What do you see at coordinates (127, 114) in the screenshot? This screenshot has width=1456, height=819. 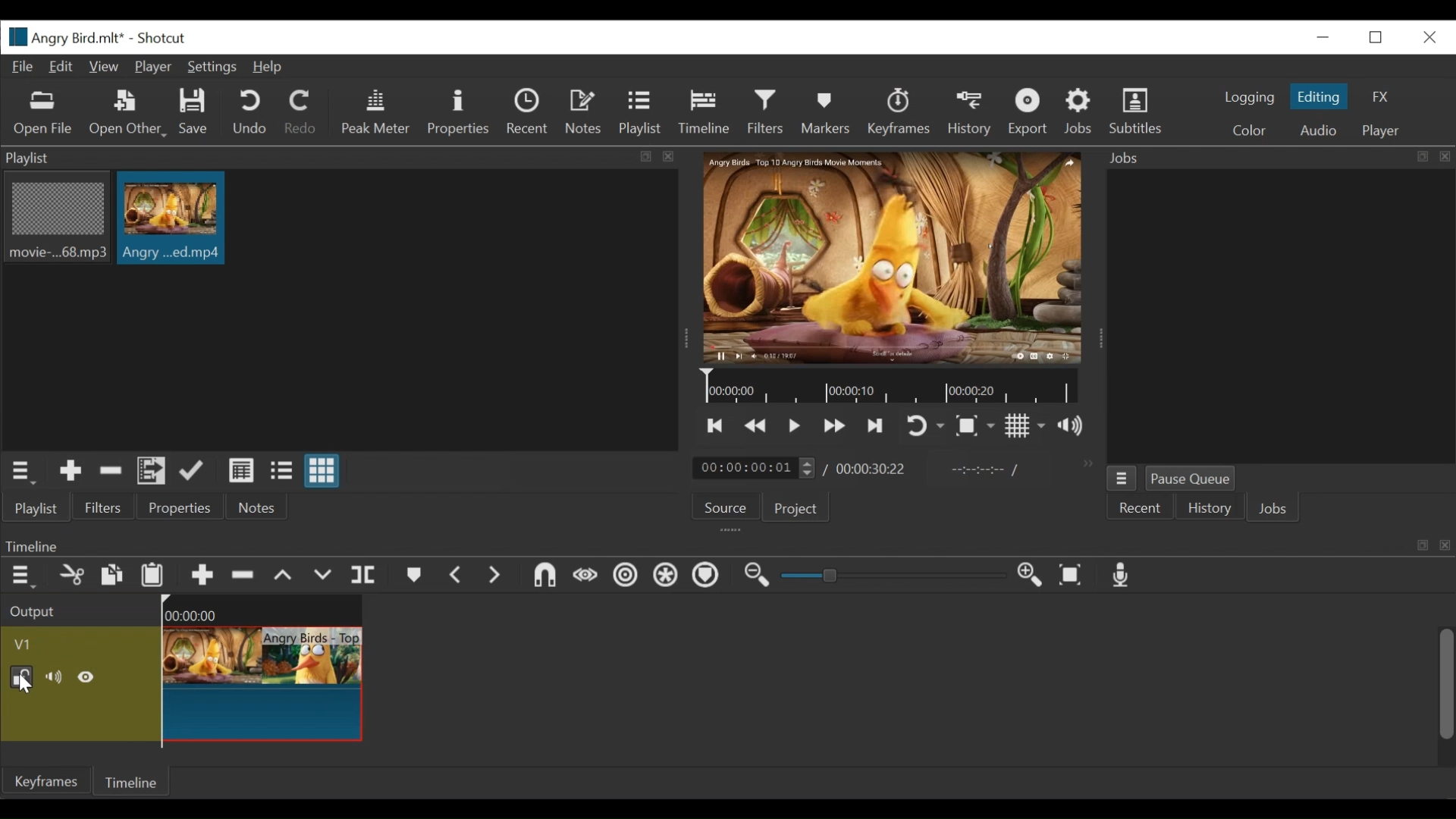 I see `Open Other` at bounding box center [127, 114].